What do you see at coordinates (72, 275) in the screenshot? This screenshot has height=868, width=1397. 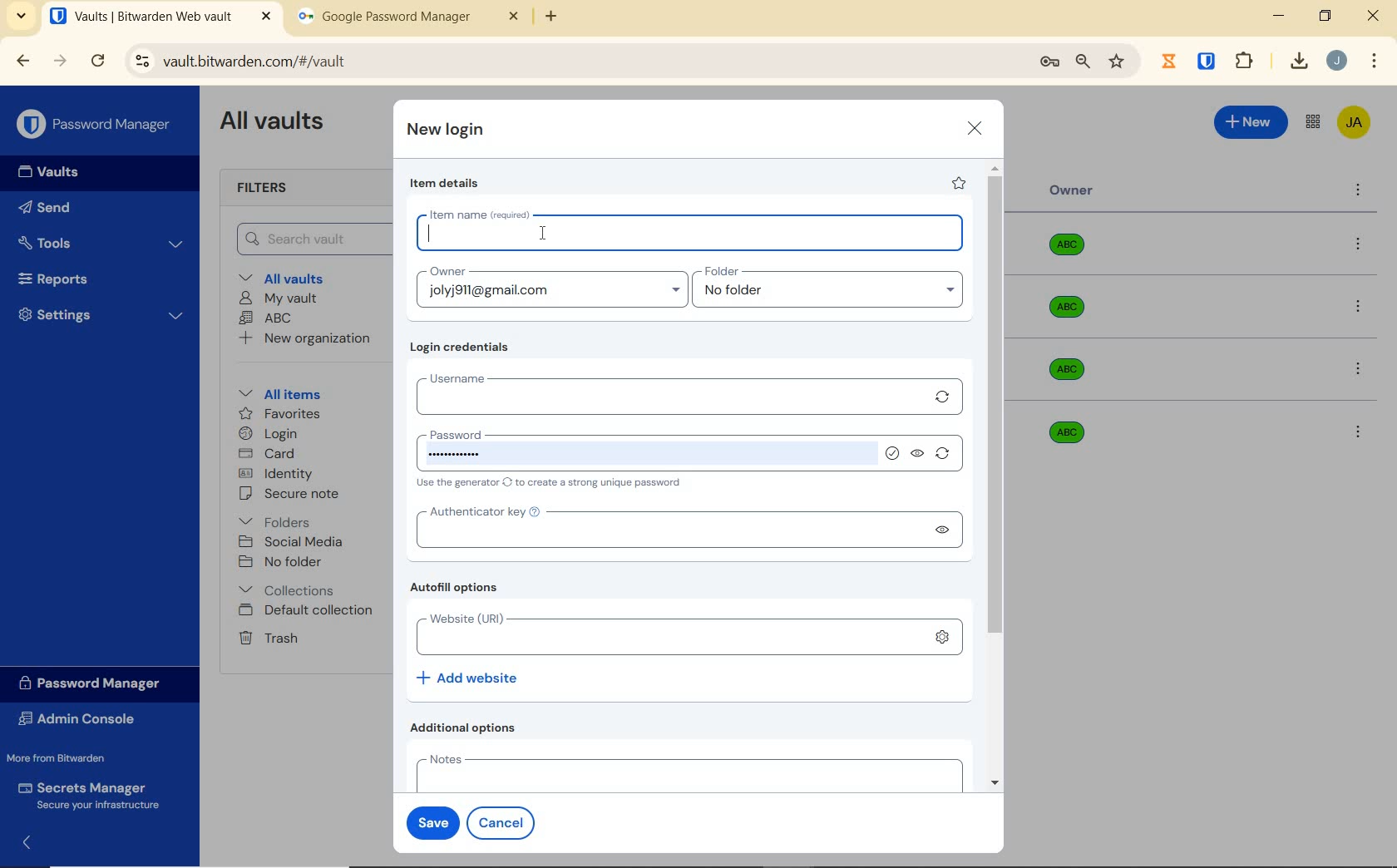 I see `Reports` at bounding box center [72, 275].